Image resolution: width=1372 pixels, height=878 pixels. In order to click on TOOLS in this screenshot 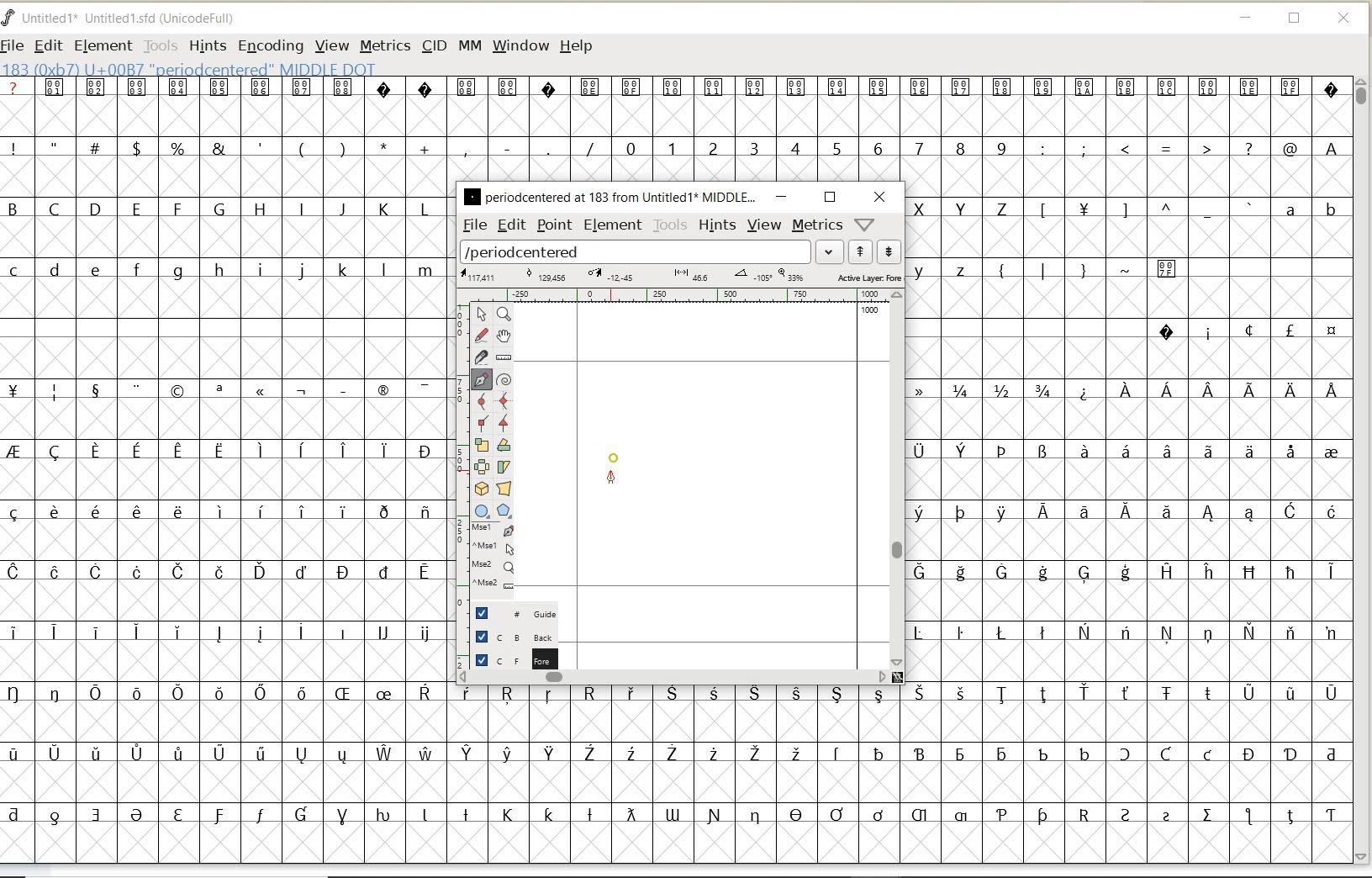, I will do `click(161, 45)`.